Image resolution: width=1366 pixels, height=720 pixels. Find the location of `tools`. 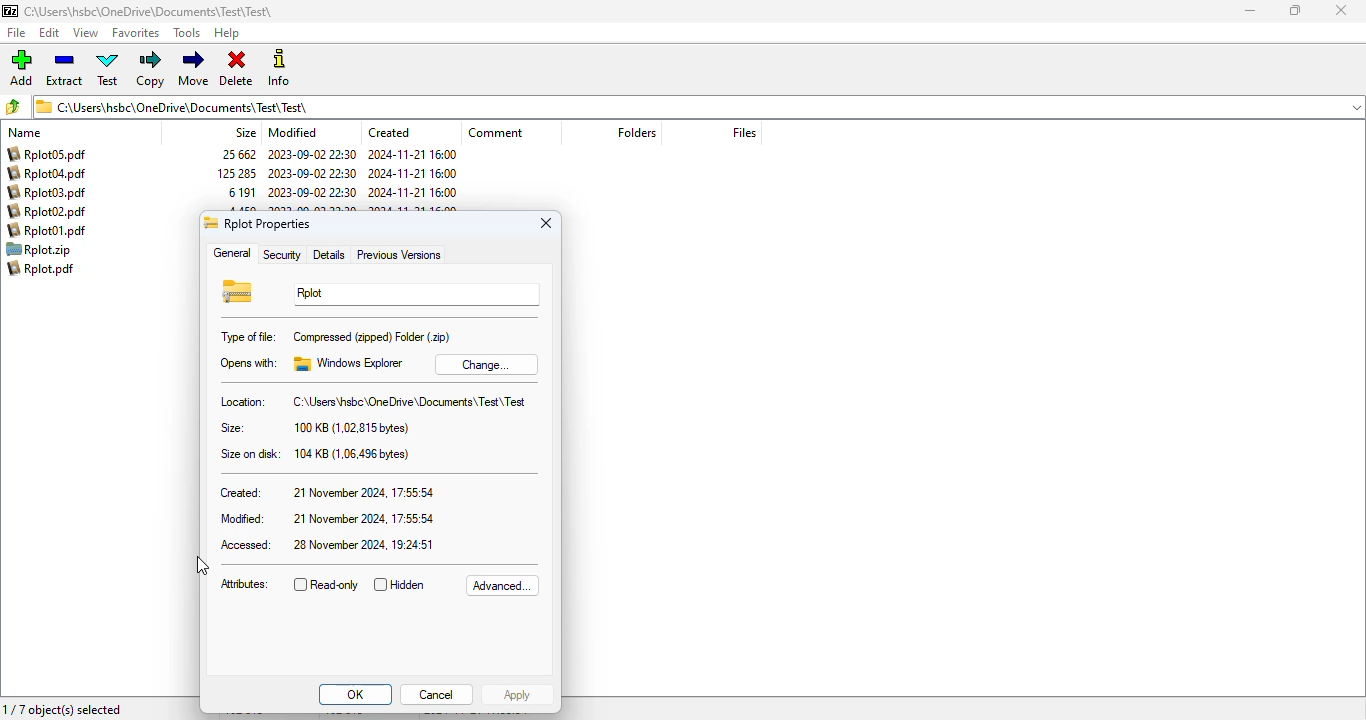

tools is located at coordinates (187, 32).